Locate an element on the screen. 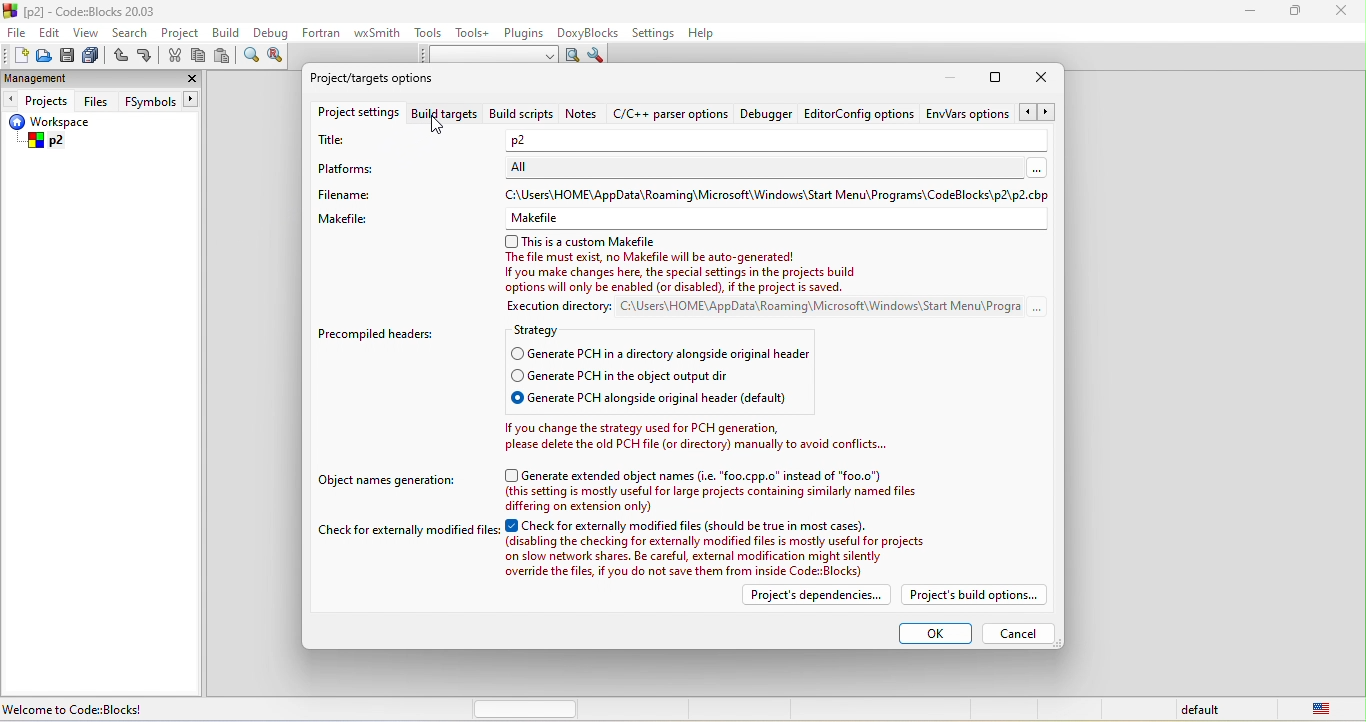 Image resolution: width=1366 pixels, height=722 pixels. projects build options is located at coordinates (980, 598).